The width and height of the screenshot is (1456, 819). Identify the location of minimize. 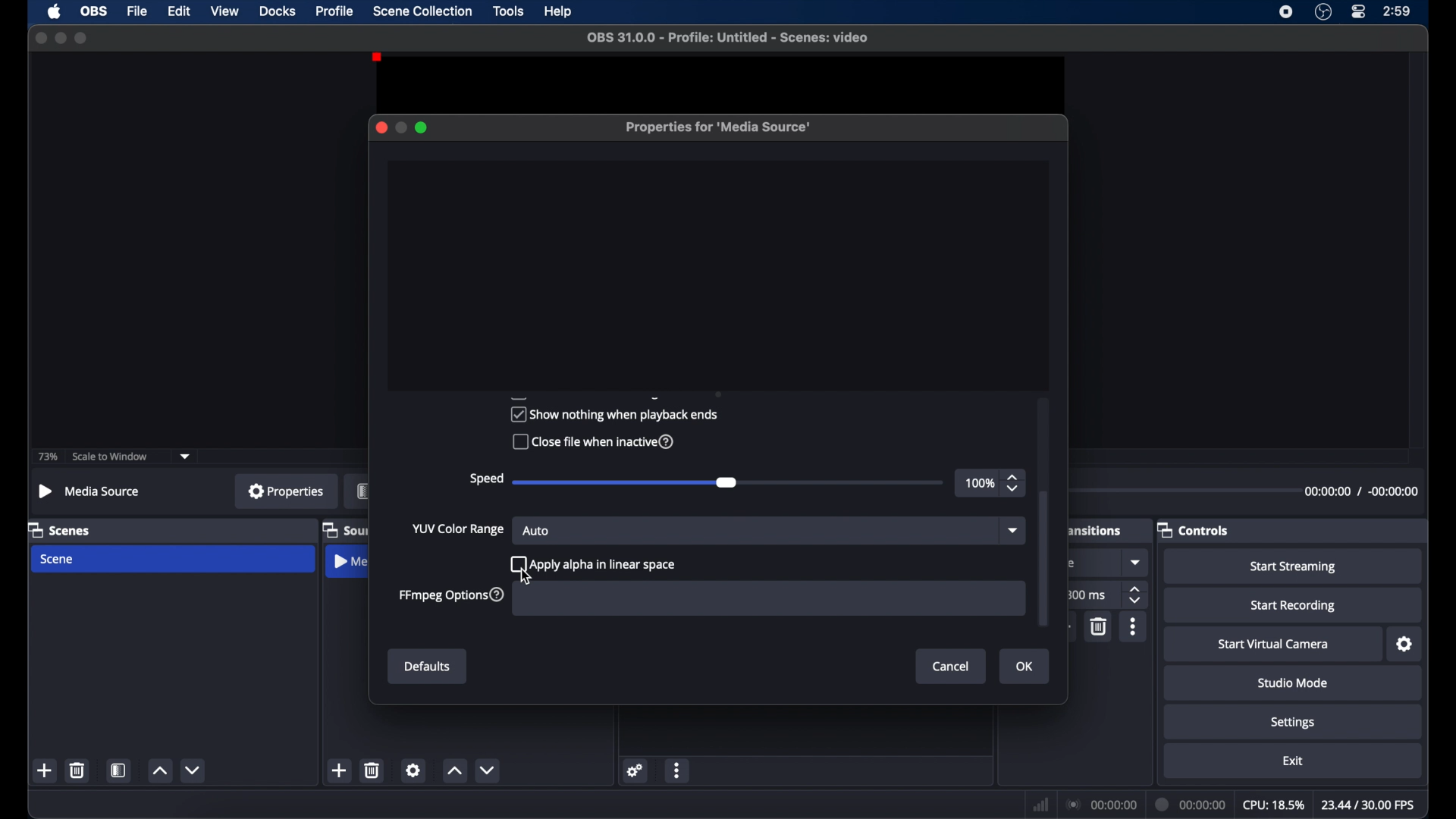
(400, 127).